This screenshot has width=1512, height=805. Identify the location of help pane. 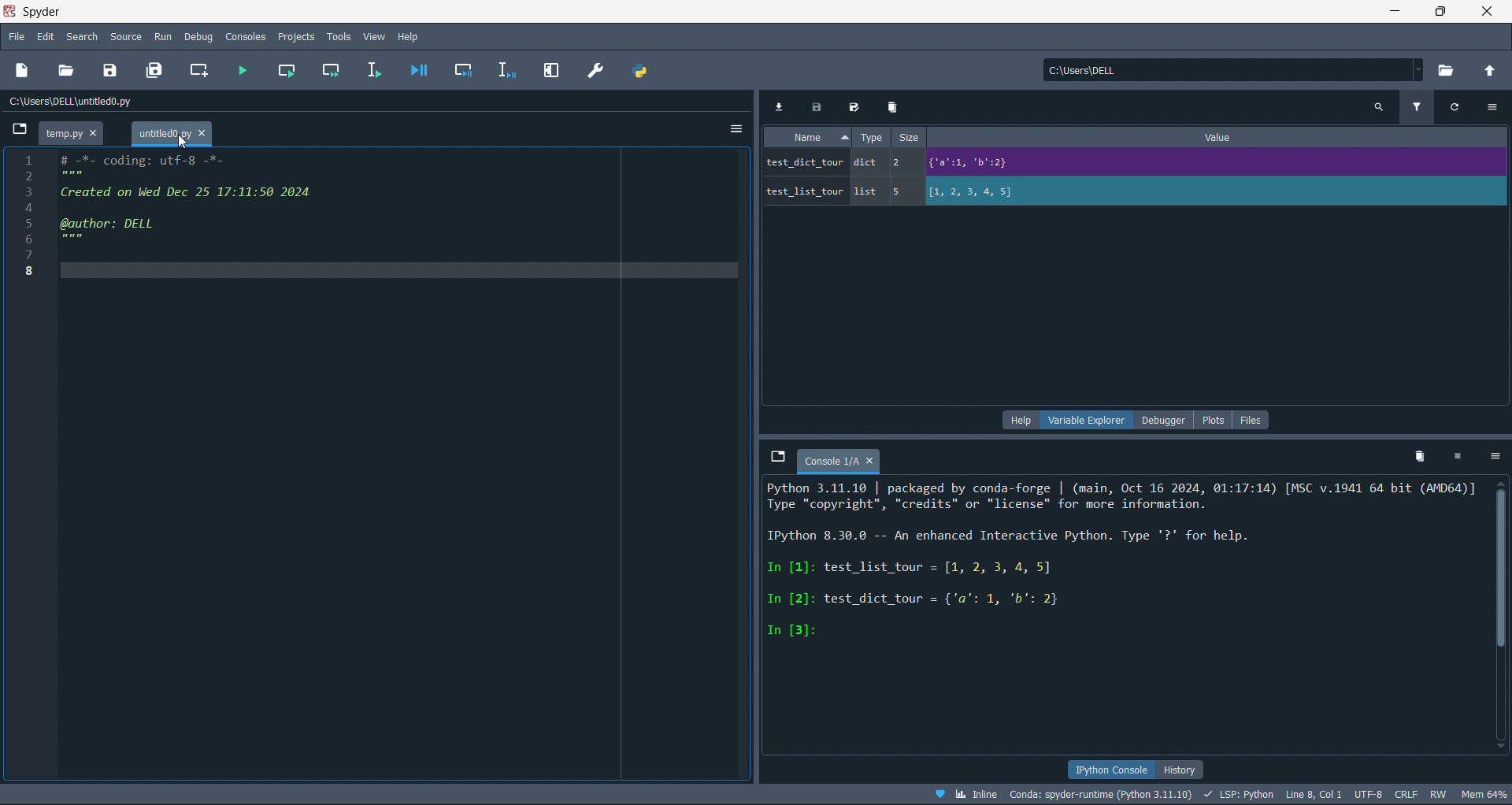
(1019, 421).